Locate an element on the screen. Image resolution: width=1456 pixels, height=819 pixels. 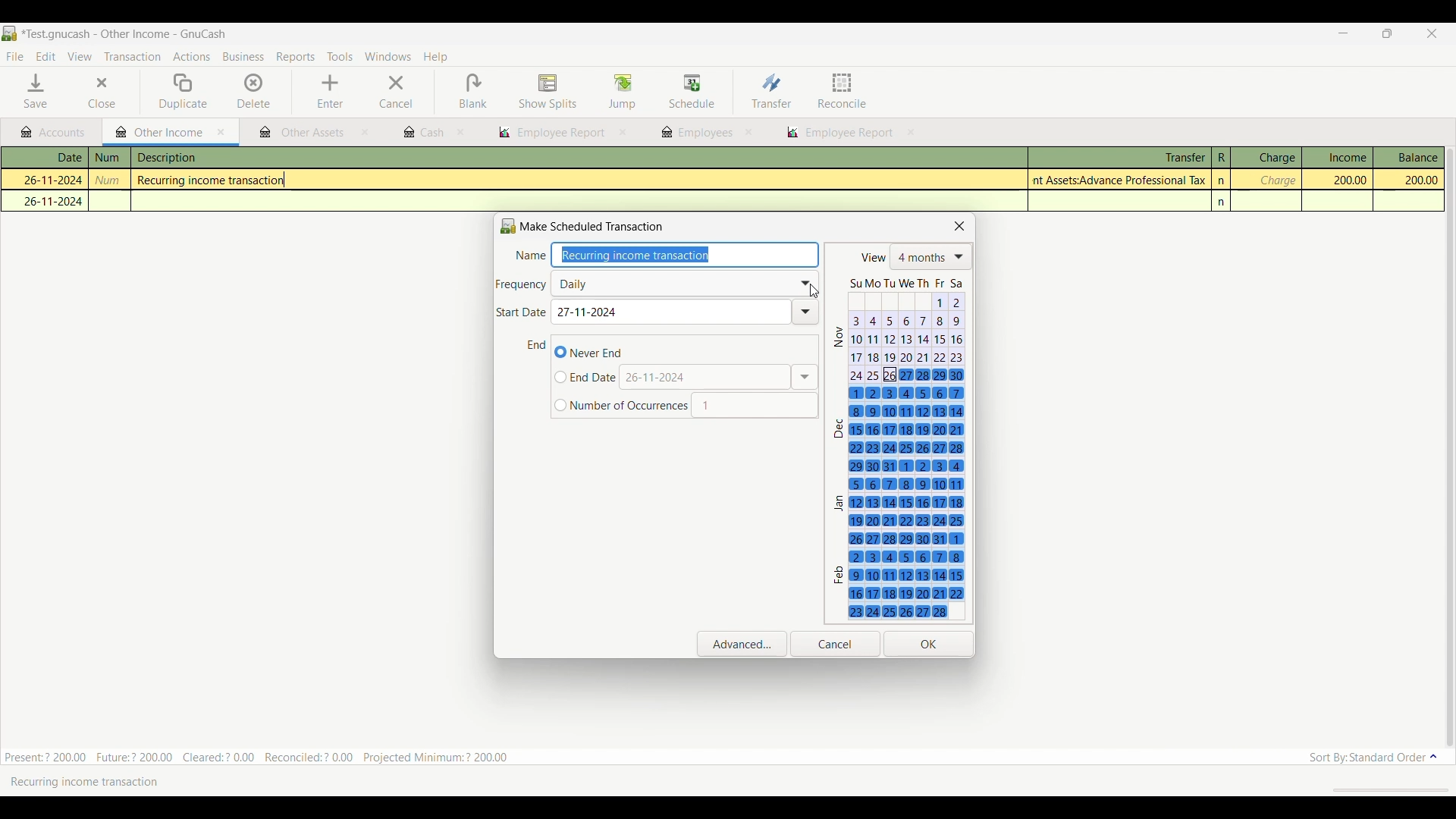
Edit menu is located at coordinates (45, 57).